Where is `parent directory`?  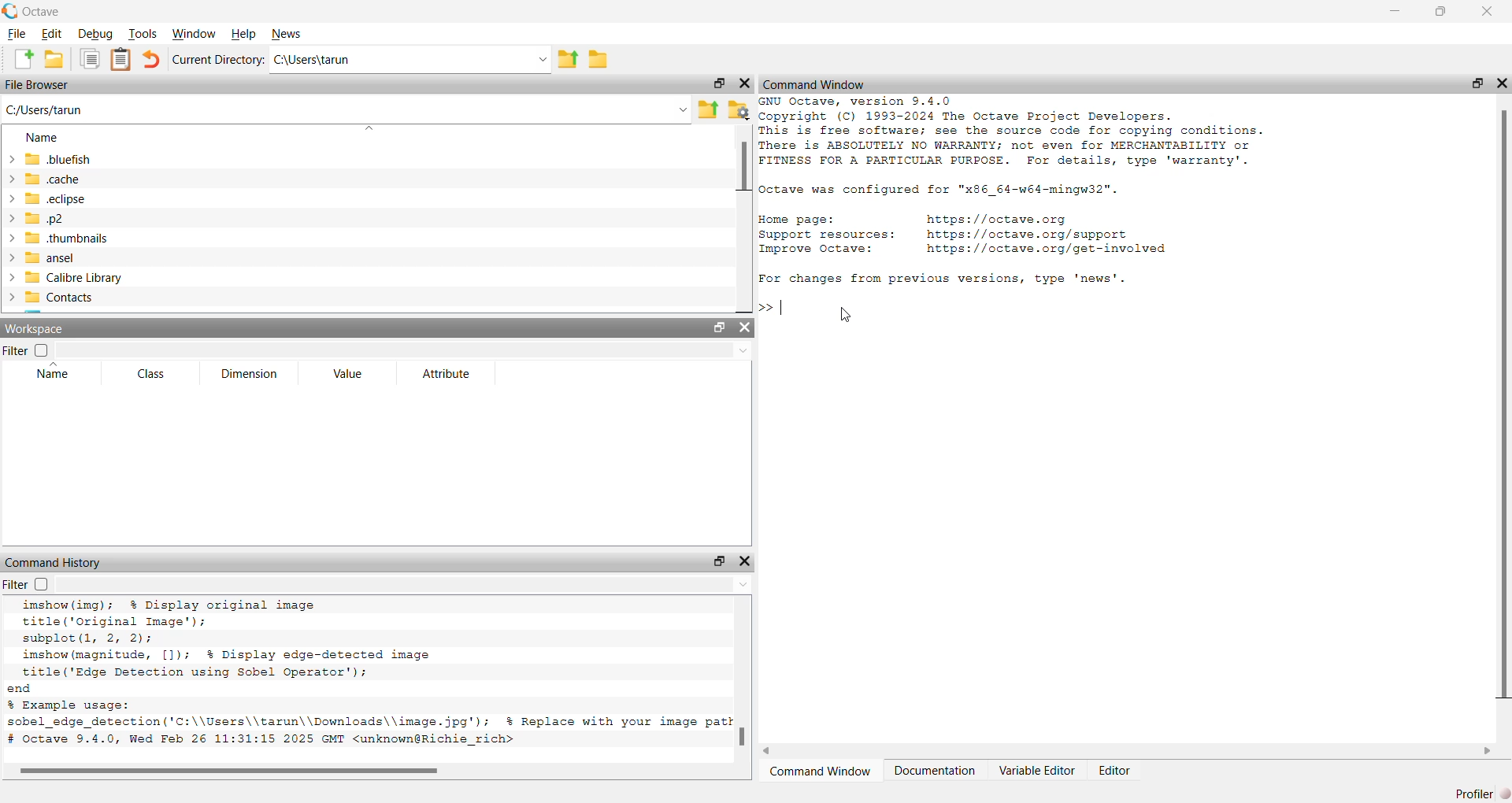 parent directory is located at coordinates (569, 58).